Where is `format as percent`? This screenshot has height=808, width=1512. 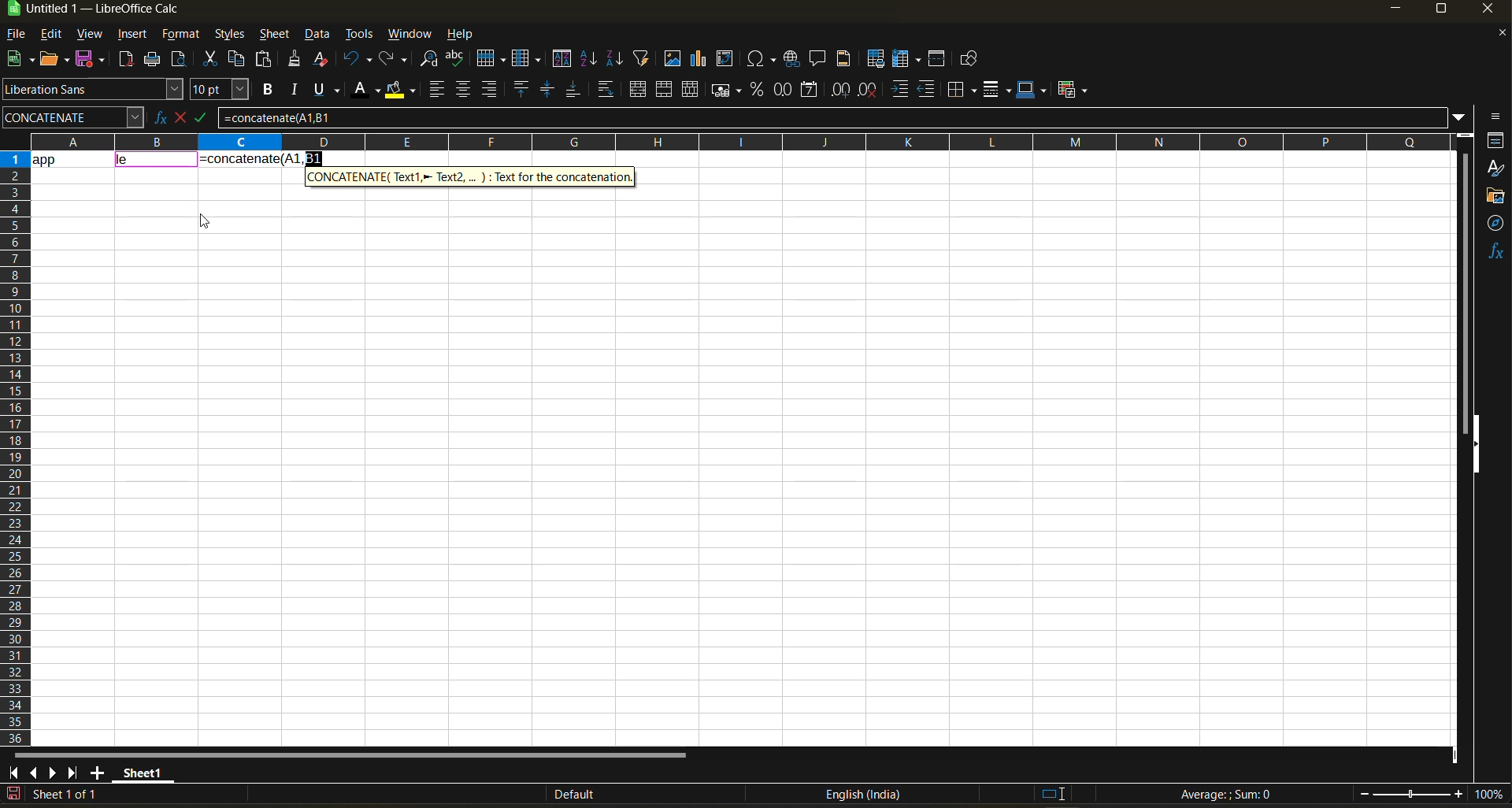
format as percent is located at coordinates (759, 90).